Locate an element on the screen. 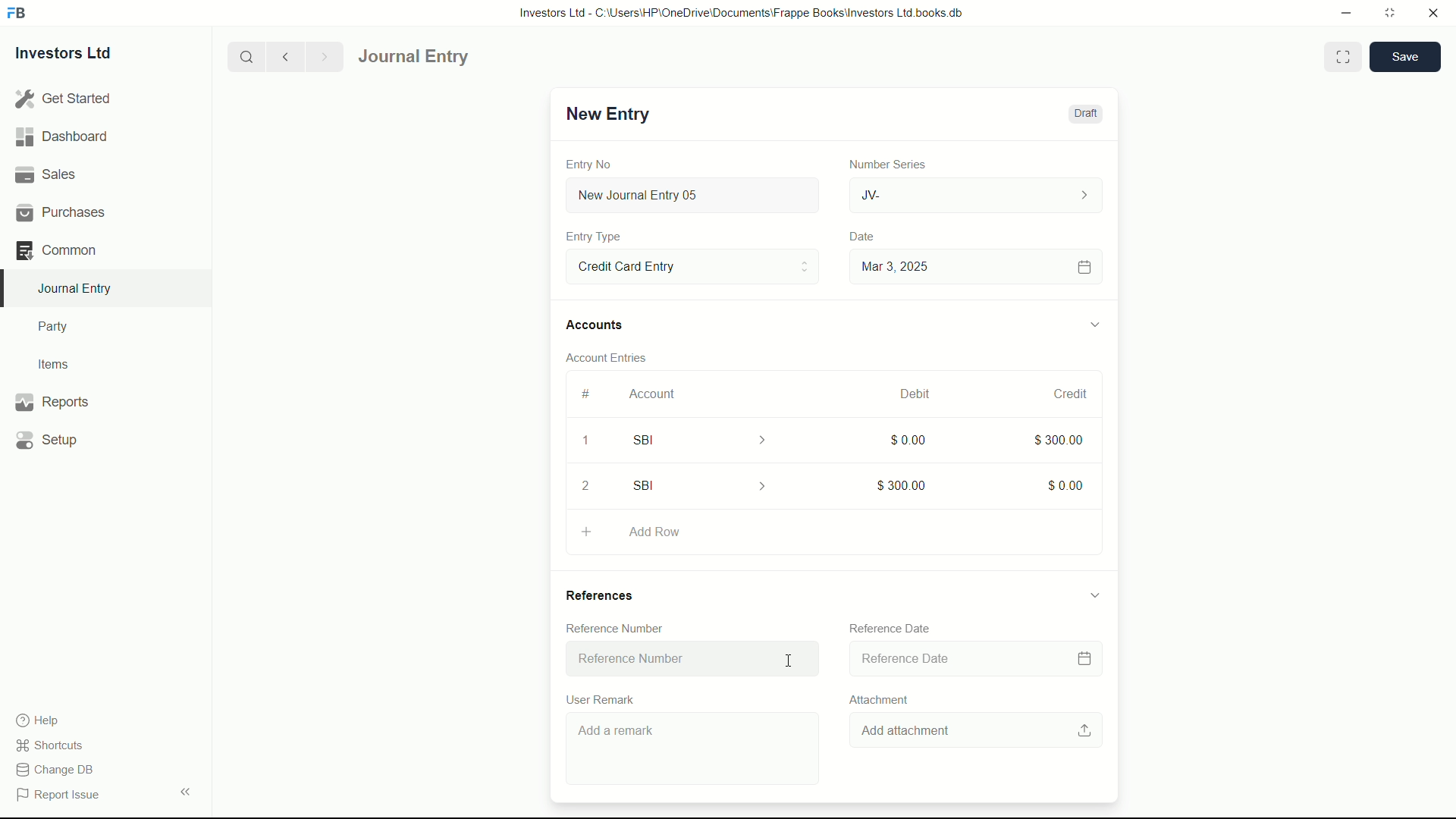 This screenshot has height=819, width=1456. cursor is located at coordinates (789, 661).